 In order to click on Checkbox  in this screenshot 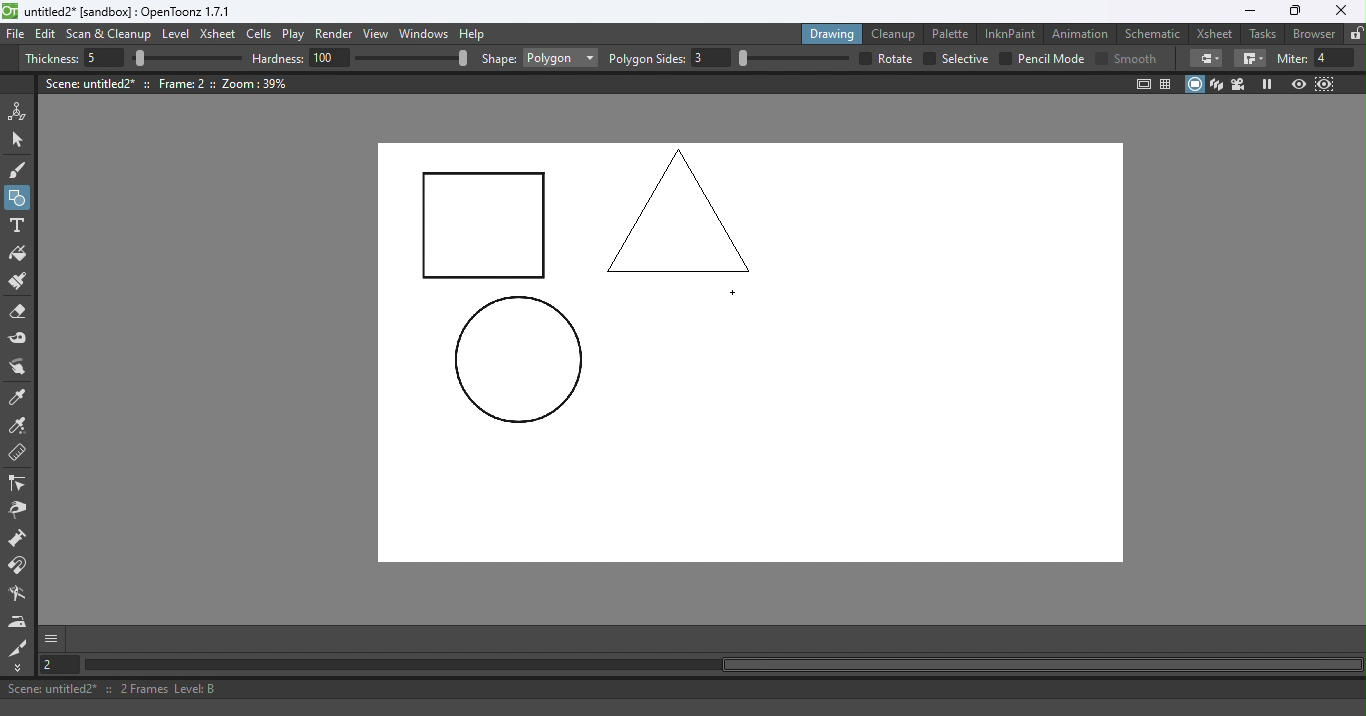, I will do `click(1101, 57)`.